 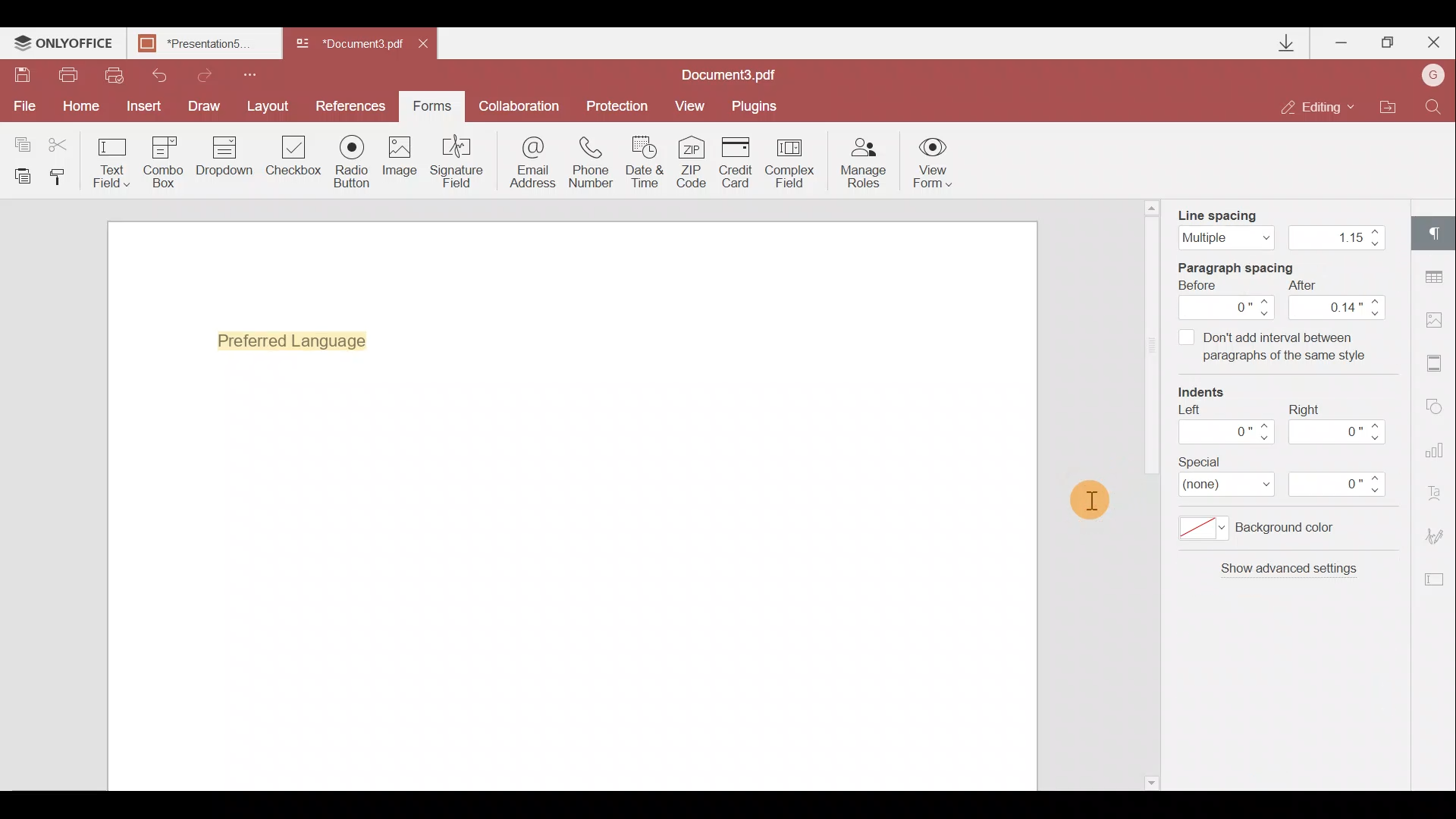 I want to click on Credit card, so click(x=740, y=160).